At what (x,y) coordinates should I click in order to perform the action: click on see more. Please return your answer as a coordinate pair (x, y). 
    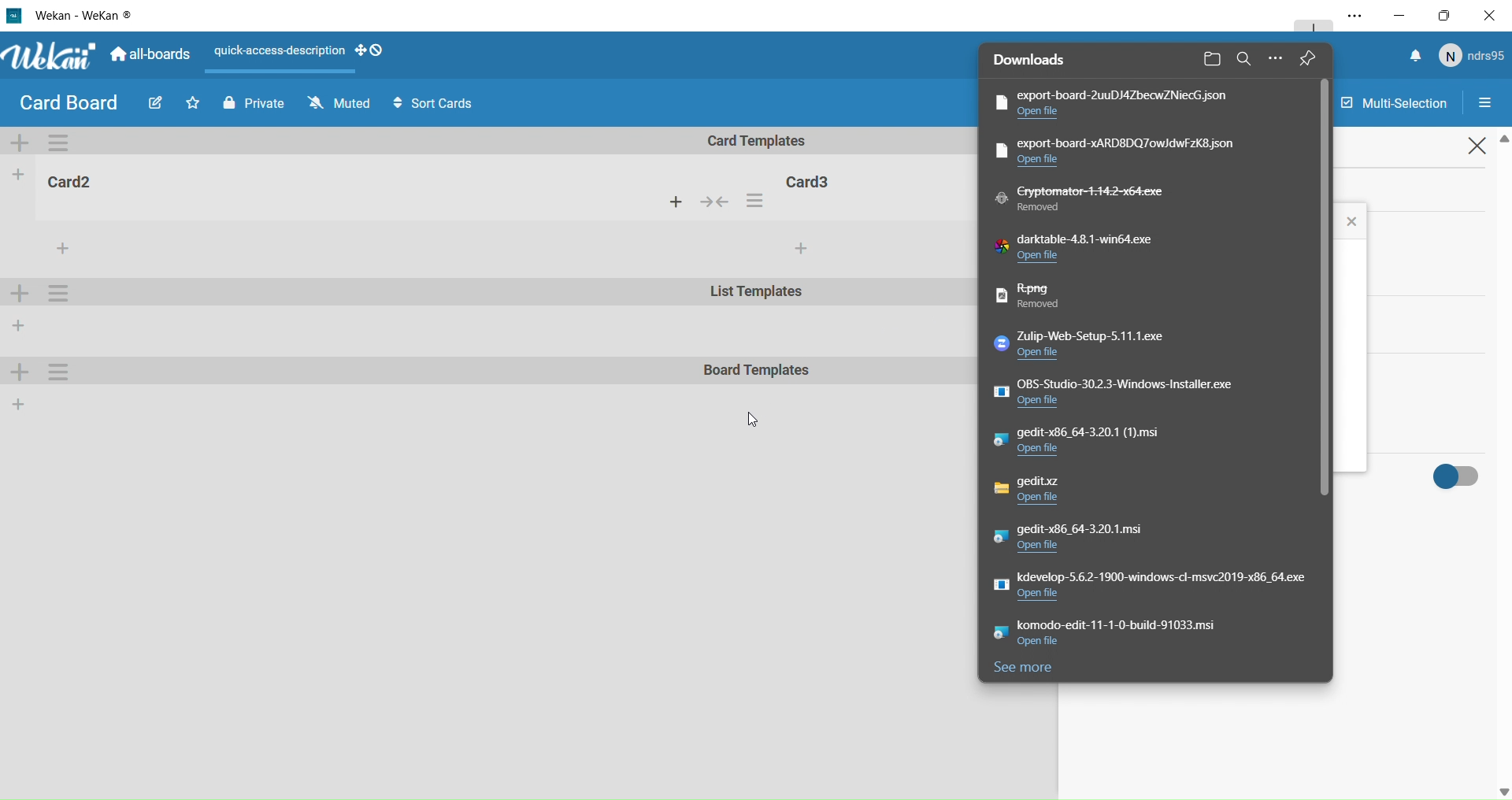
    Looking at the image, I should click on (1031, 672).